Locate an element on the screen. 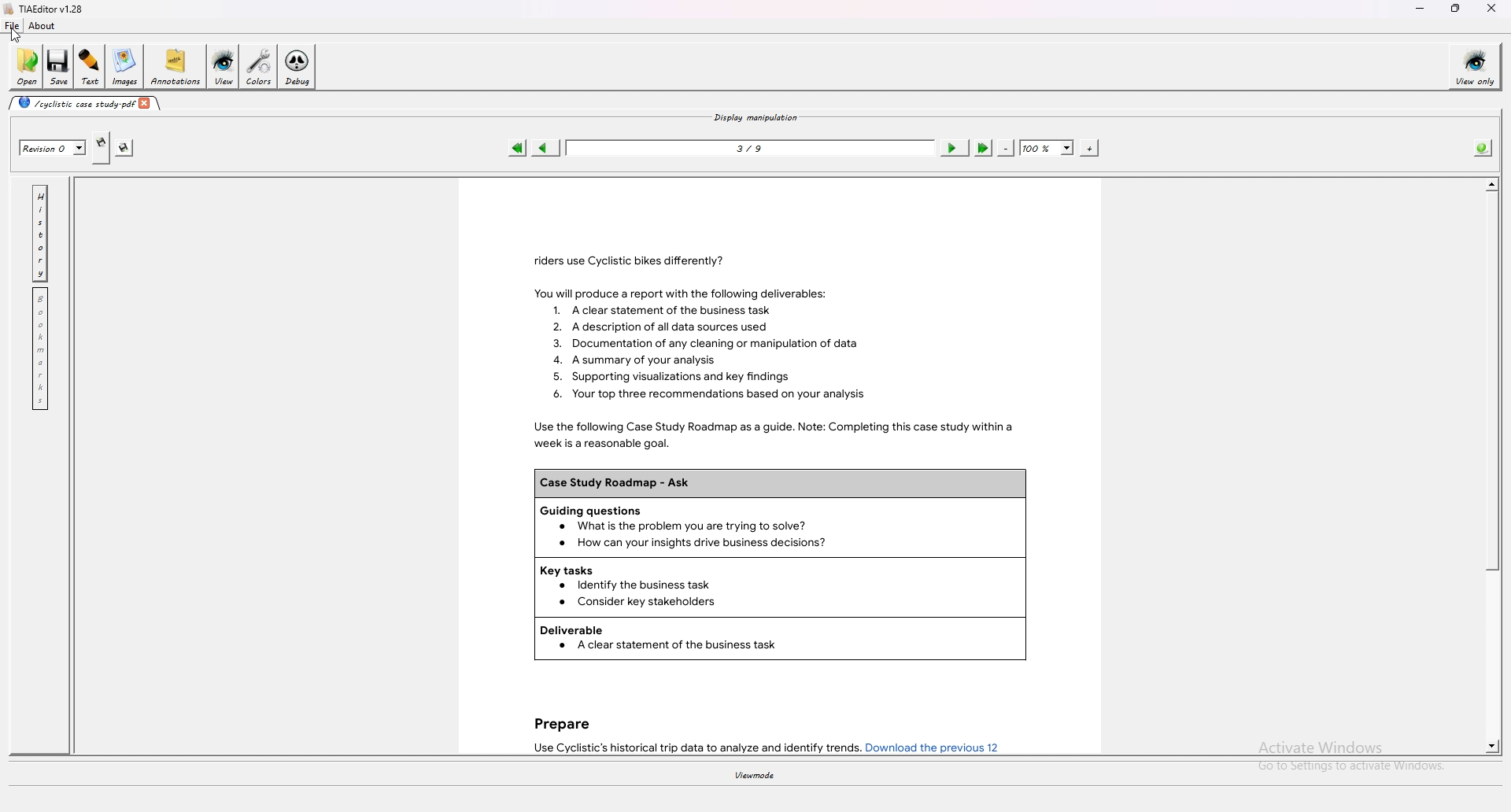 The image size is (1511, 812). Case Study Roadmap - Ask is located at coordinates (778, 483).